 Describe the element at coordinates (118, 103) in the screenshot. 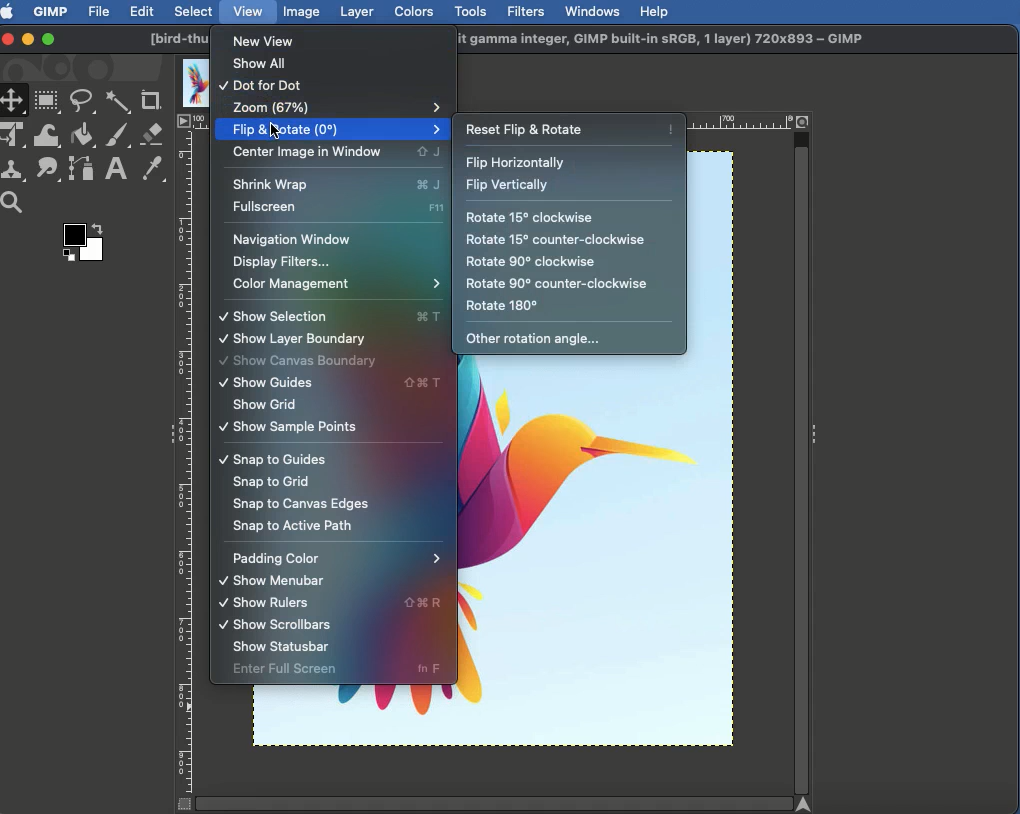

I see `Fuzzy selector` at that location.